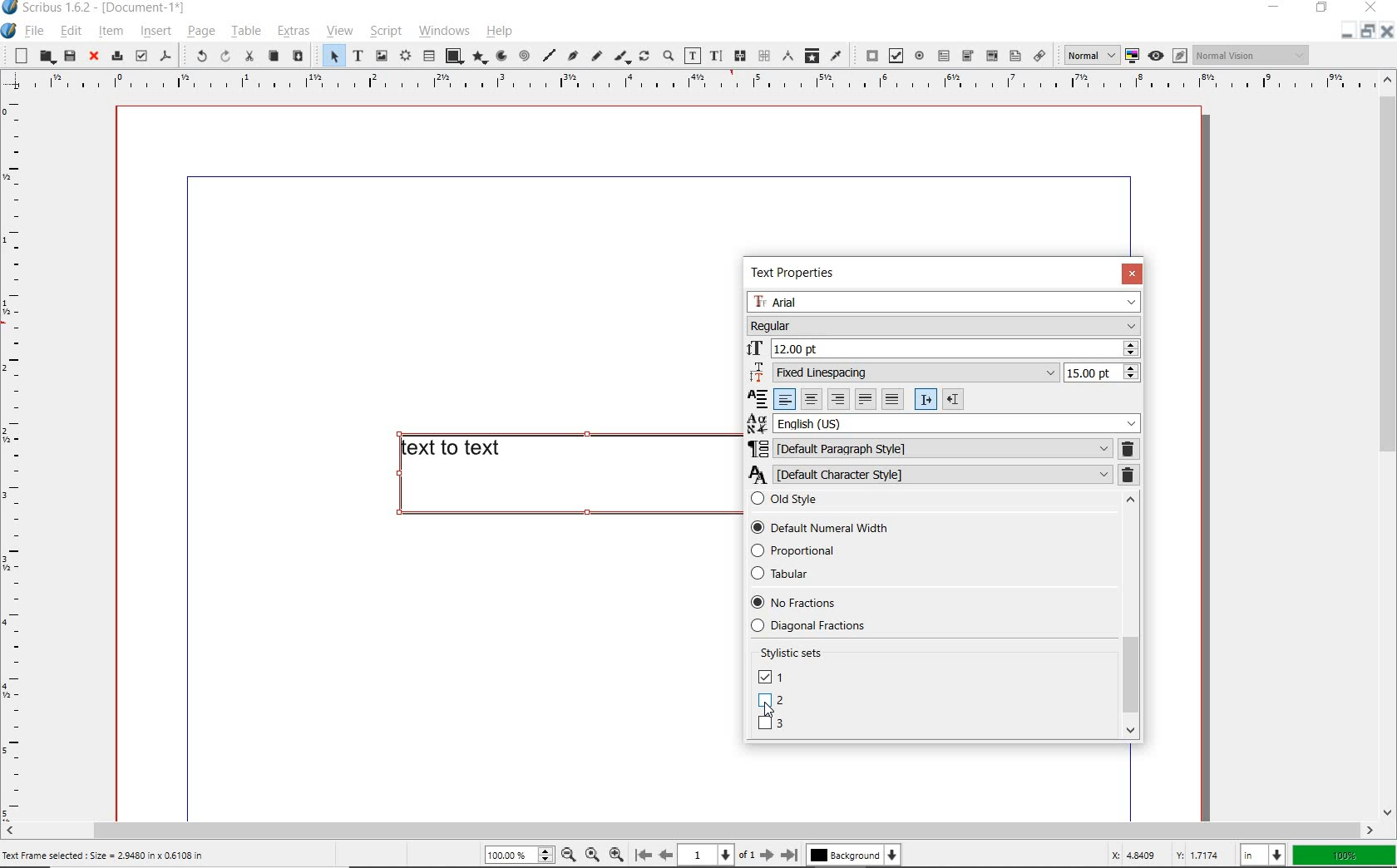 This screenshot has width=1397, height=868. I want to click on No Fractions, so click(793, 602).